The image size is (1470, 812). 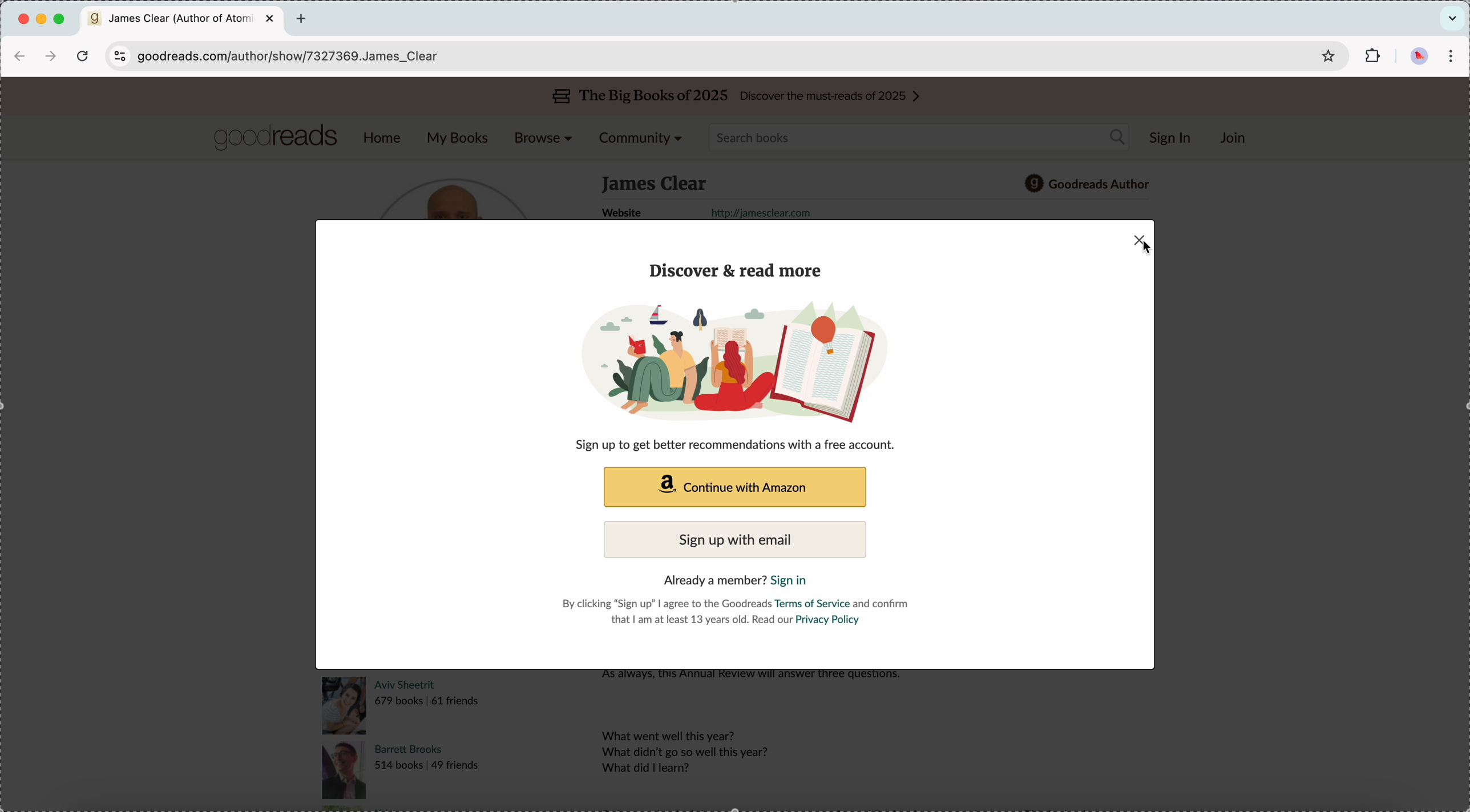 What do you see at coordinates (734, 488) in the screenshot?
I see `continue with Amazon` at bounding box center [734, 488].